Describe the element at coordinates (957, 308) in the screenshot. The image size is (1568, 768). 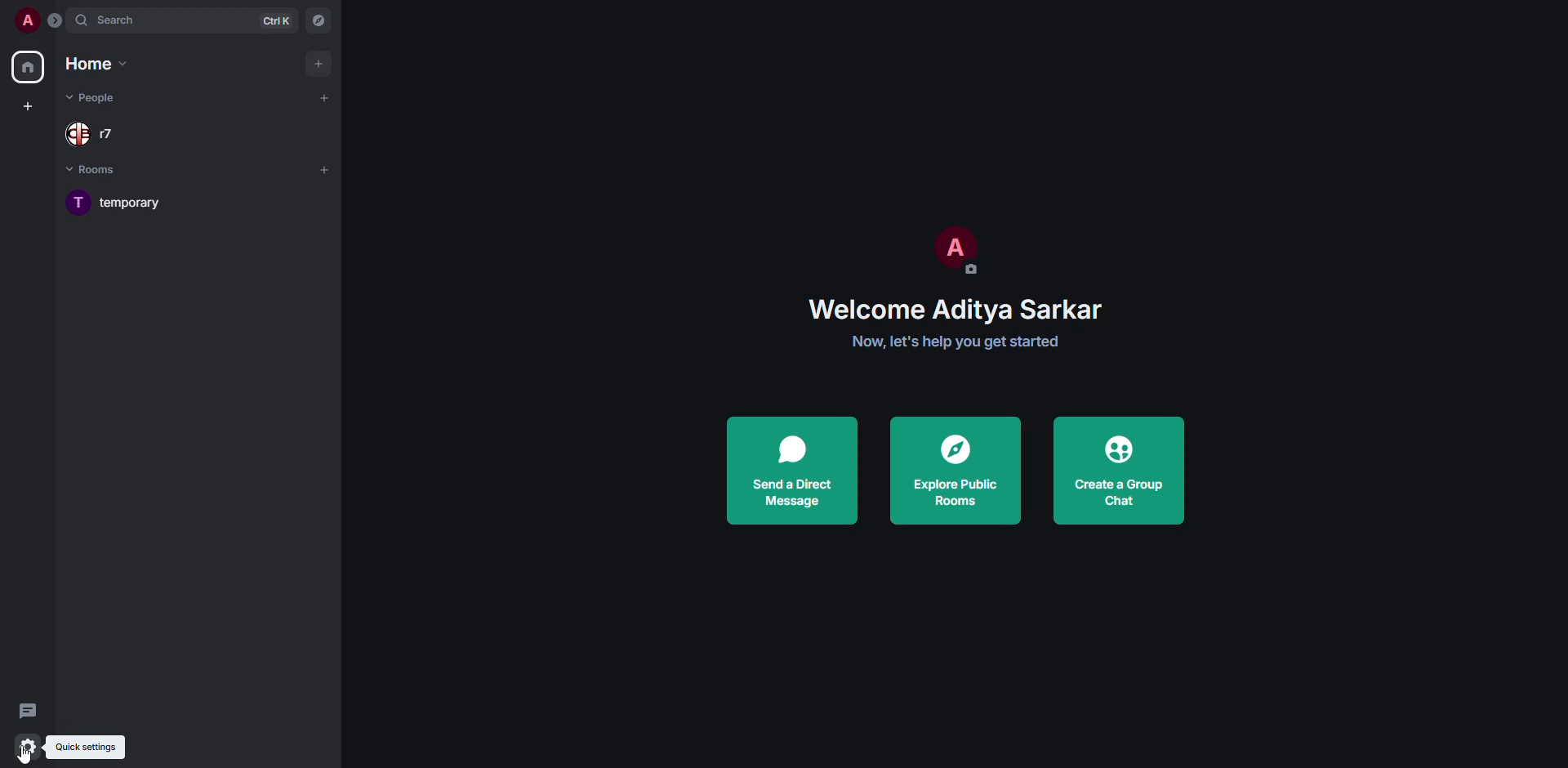
I see `Welcome Aditya Sarkar` at that location.